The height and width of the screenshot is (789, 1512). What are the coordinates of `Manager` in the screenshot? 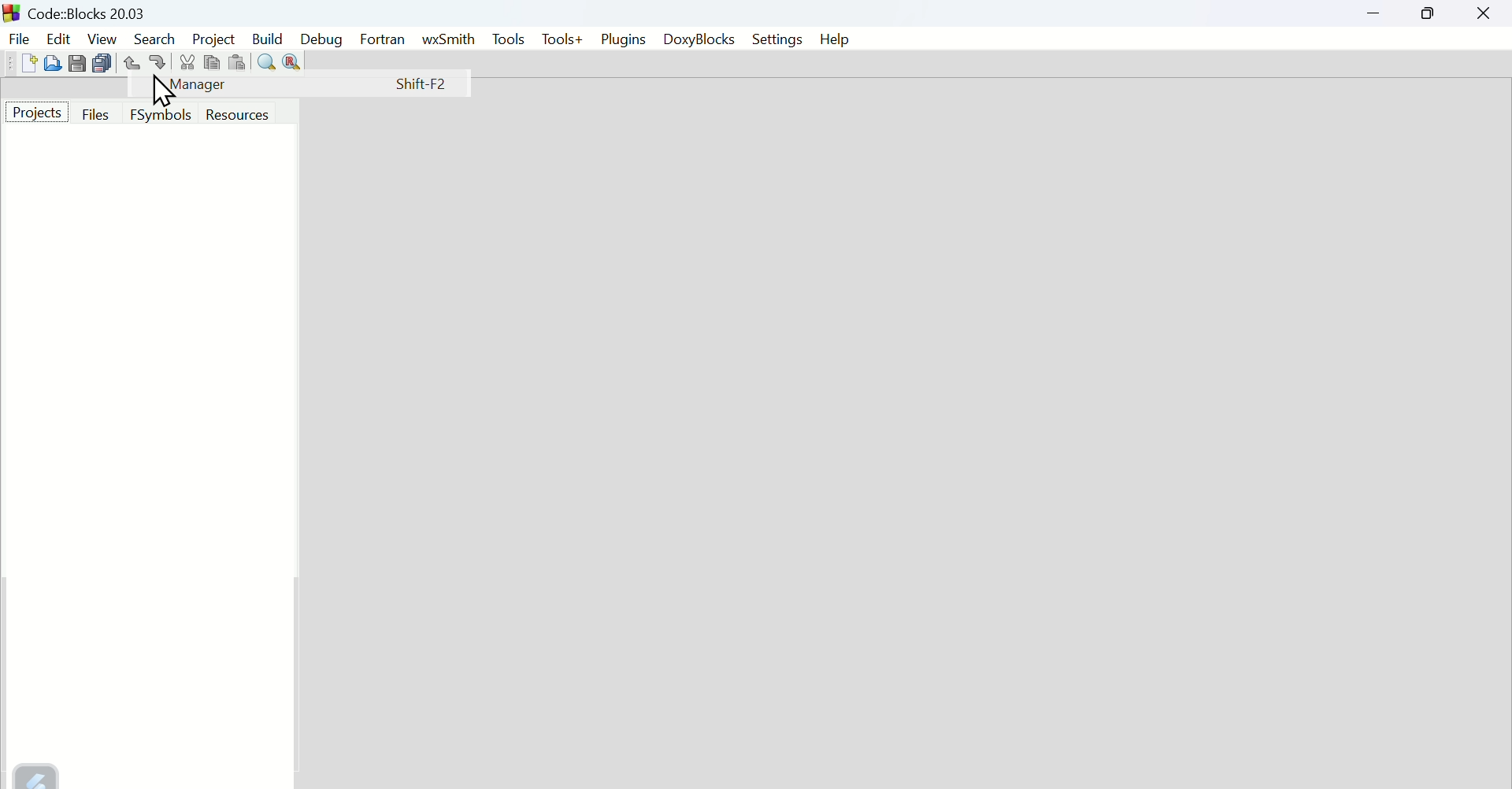 It's located at (306, 83).